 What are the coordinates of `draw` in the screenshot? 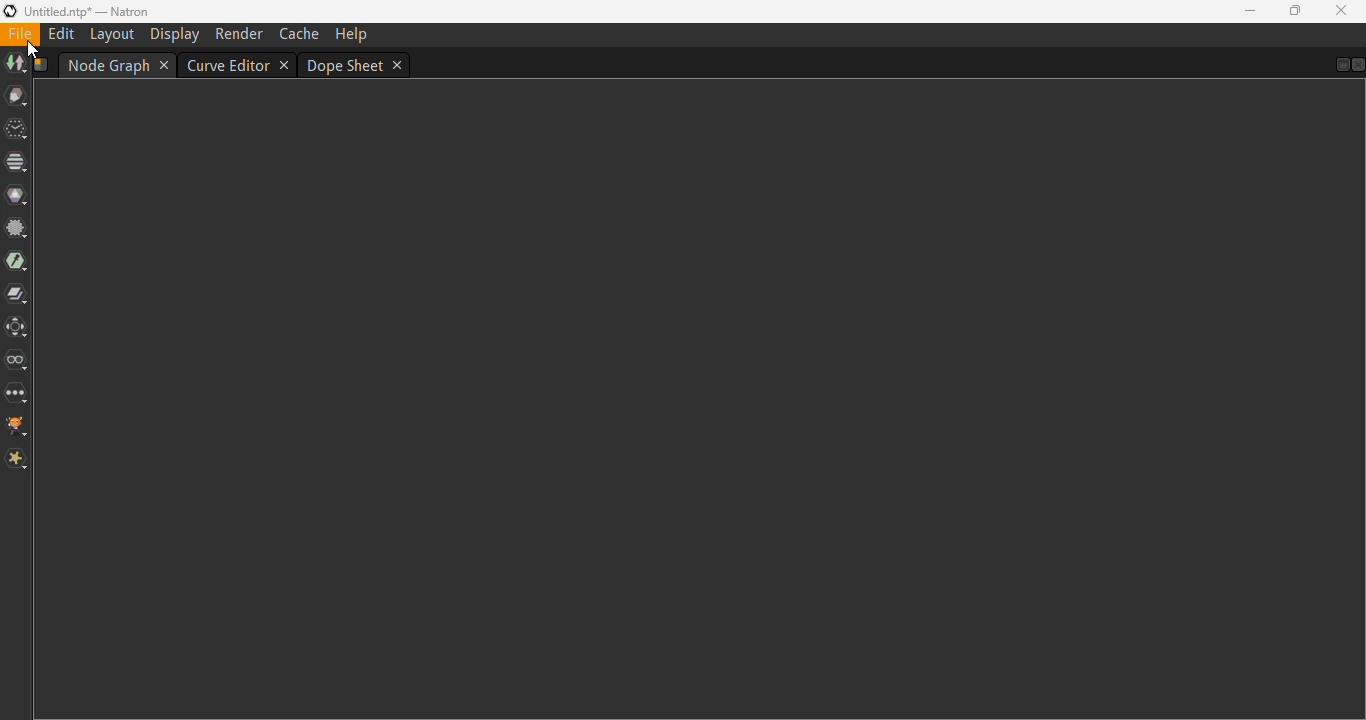 It's located at (17, 97).